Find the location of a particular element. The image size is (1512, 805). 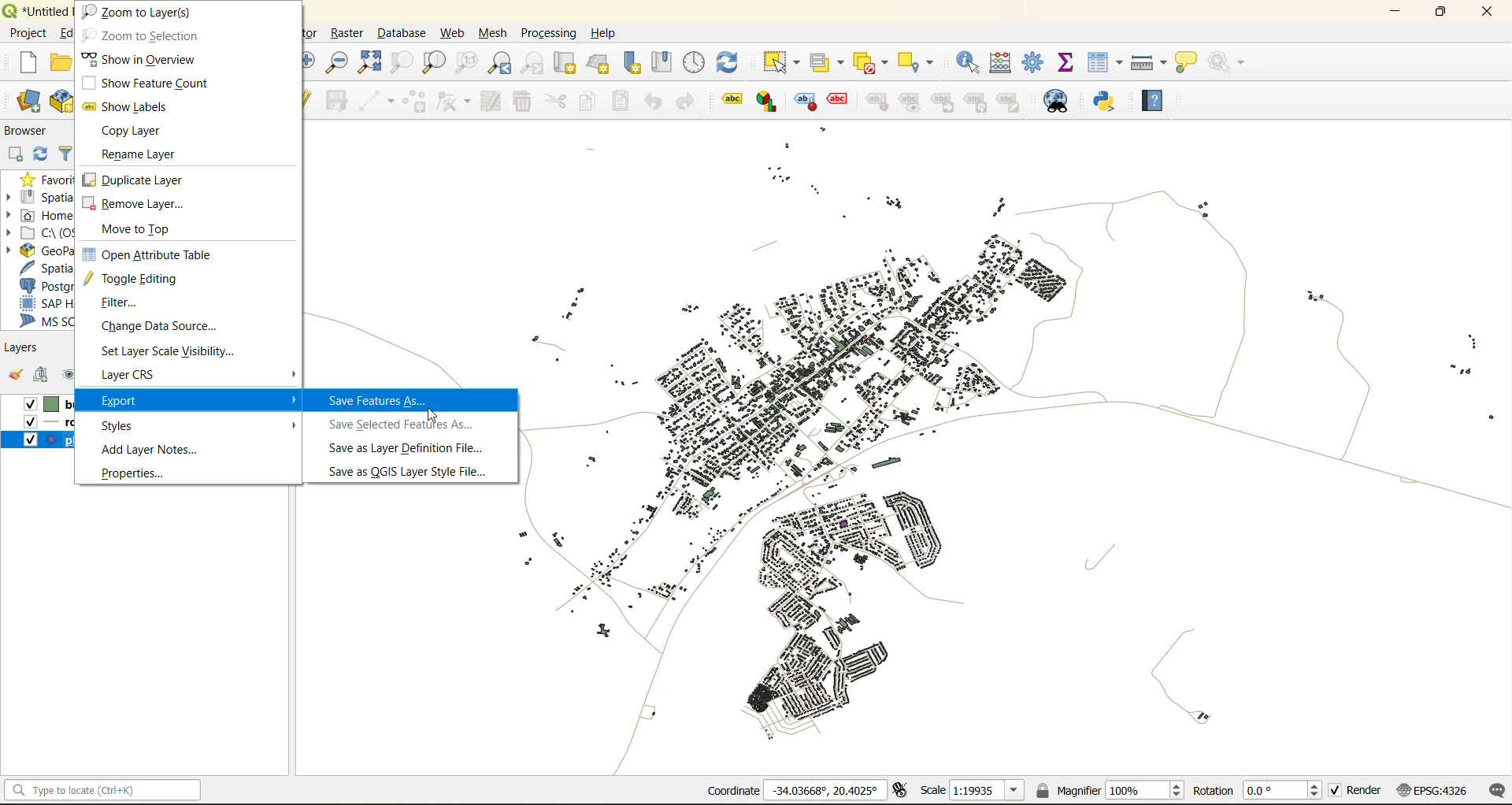

pin/unpin labels and diagrams is located at coordinates (879, 102).